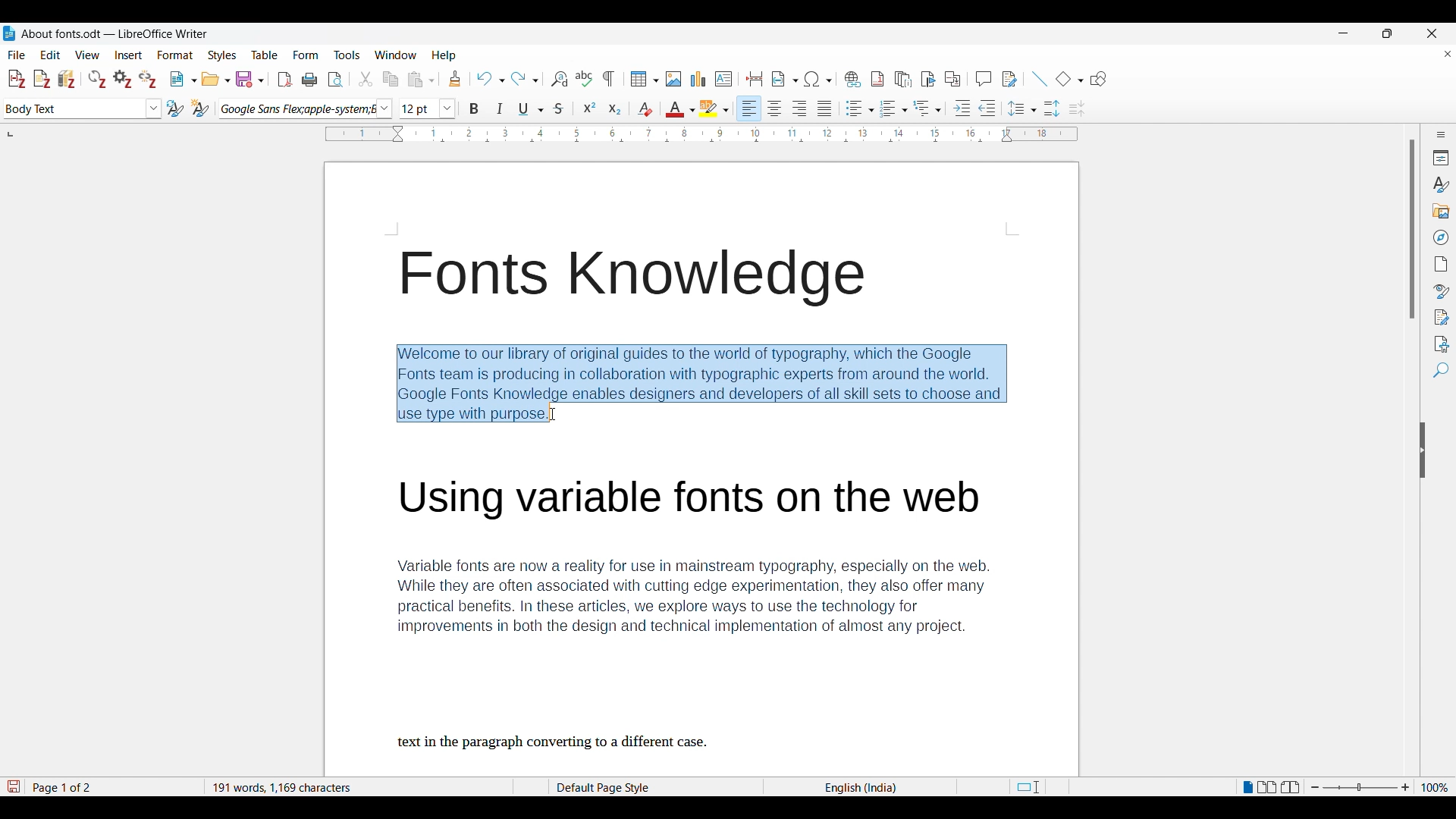 The image size is (1456, 819). What do you see at coordinates (754, 79) in the screenshot?
I see `Insert page break` at bounding box center [754, 79].